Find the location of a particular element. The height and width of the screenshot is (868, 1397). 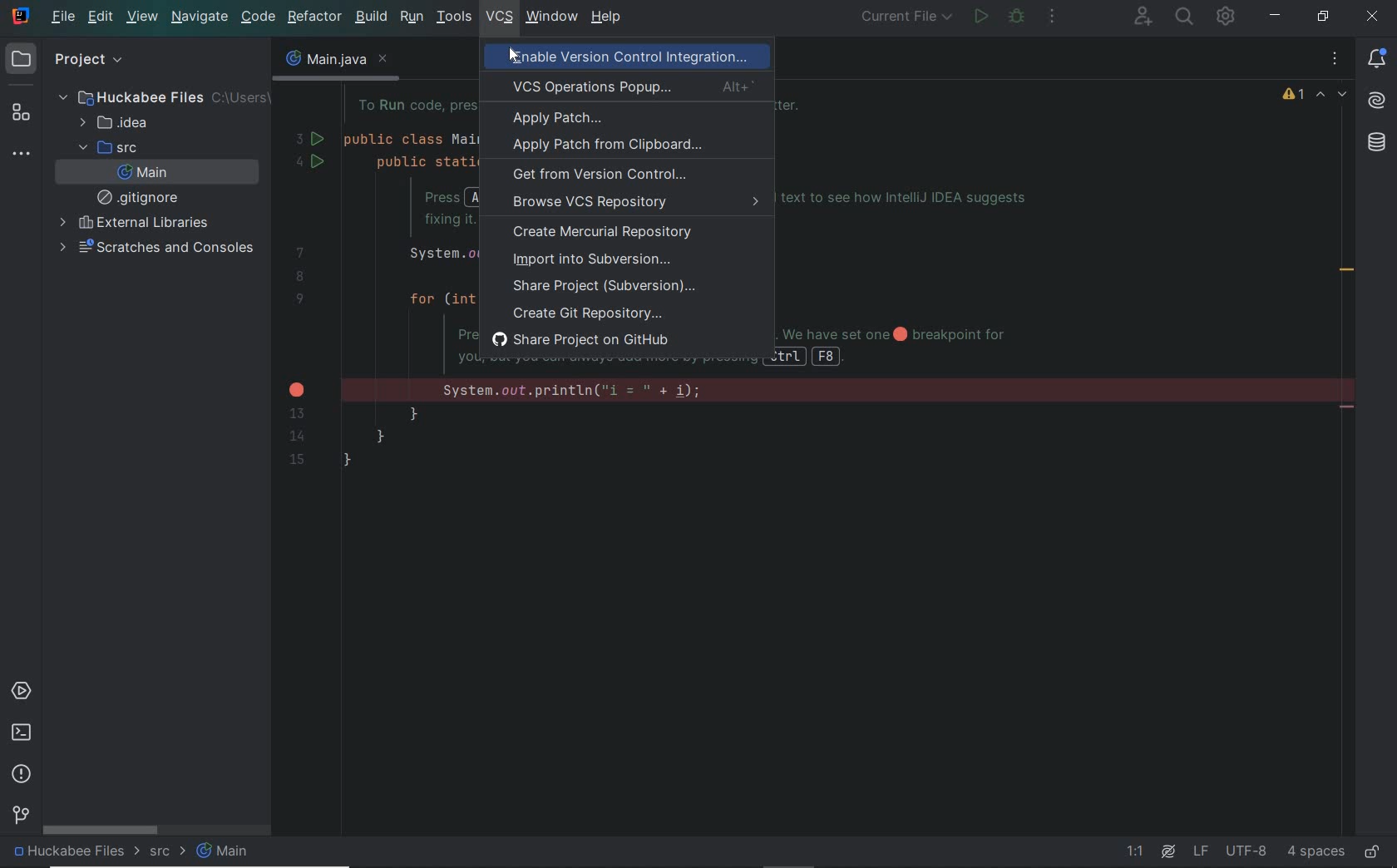

notifications is located at coordinates (1380, 60).